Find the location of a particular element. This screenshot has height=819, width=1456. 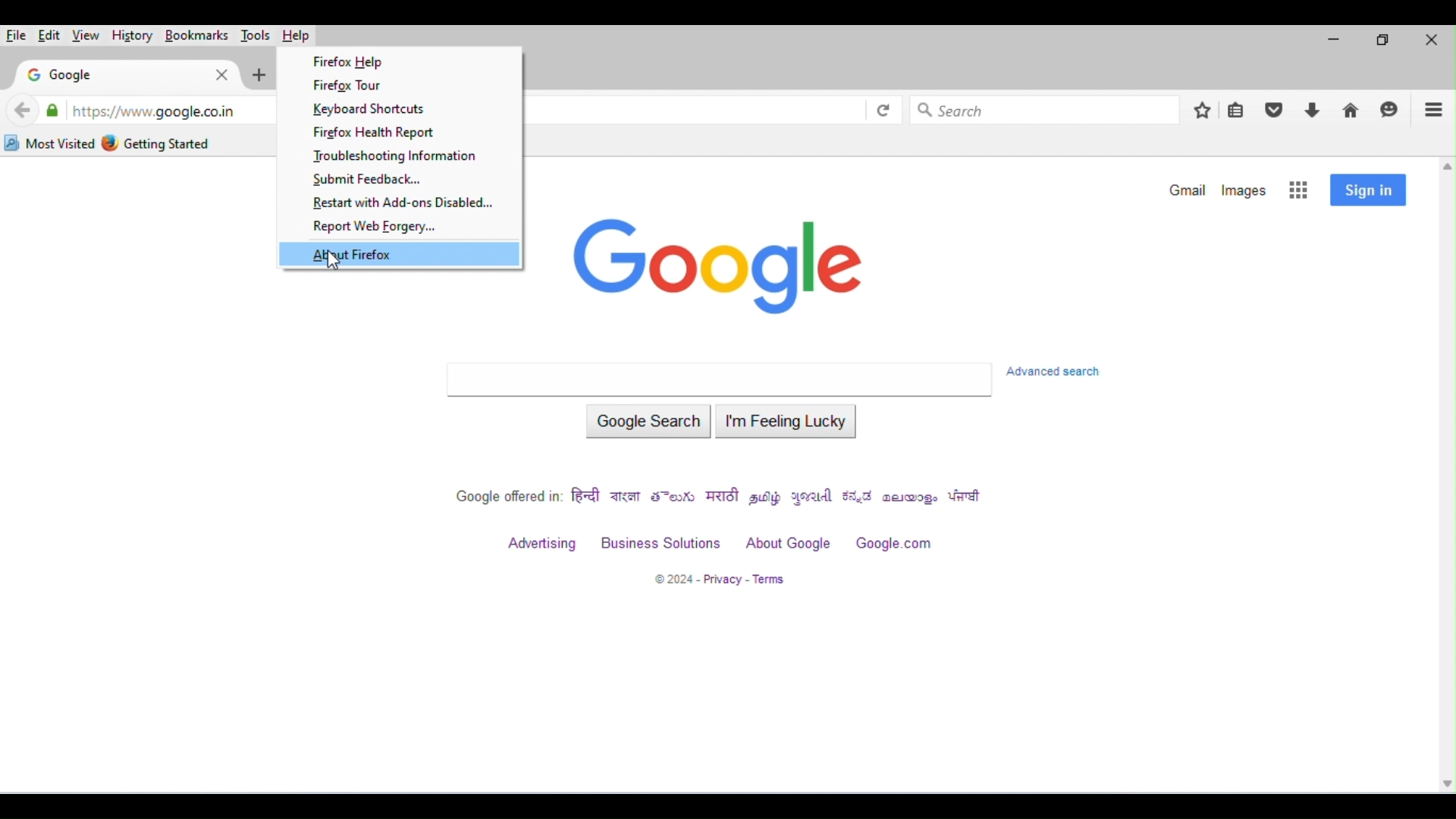

file is located at coordinates (17, 37).